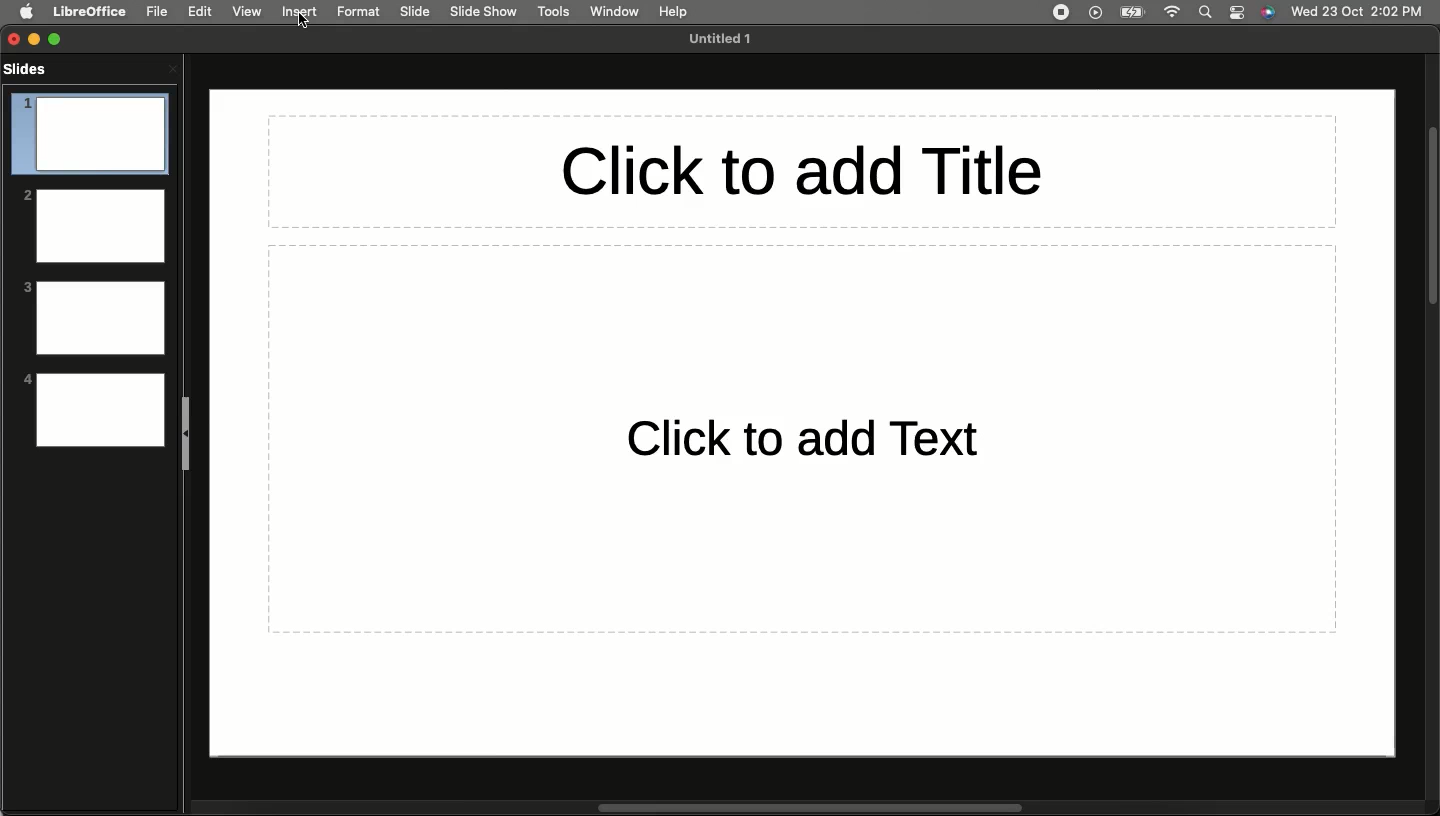 This screenshot has height=816, width=1440. Describe the element at coordinates (172, 68) in the screenshot. I see `Close` at that location.